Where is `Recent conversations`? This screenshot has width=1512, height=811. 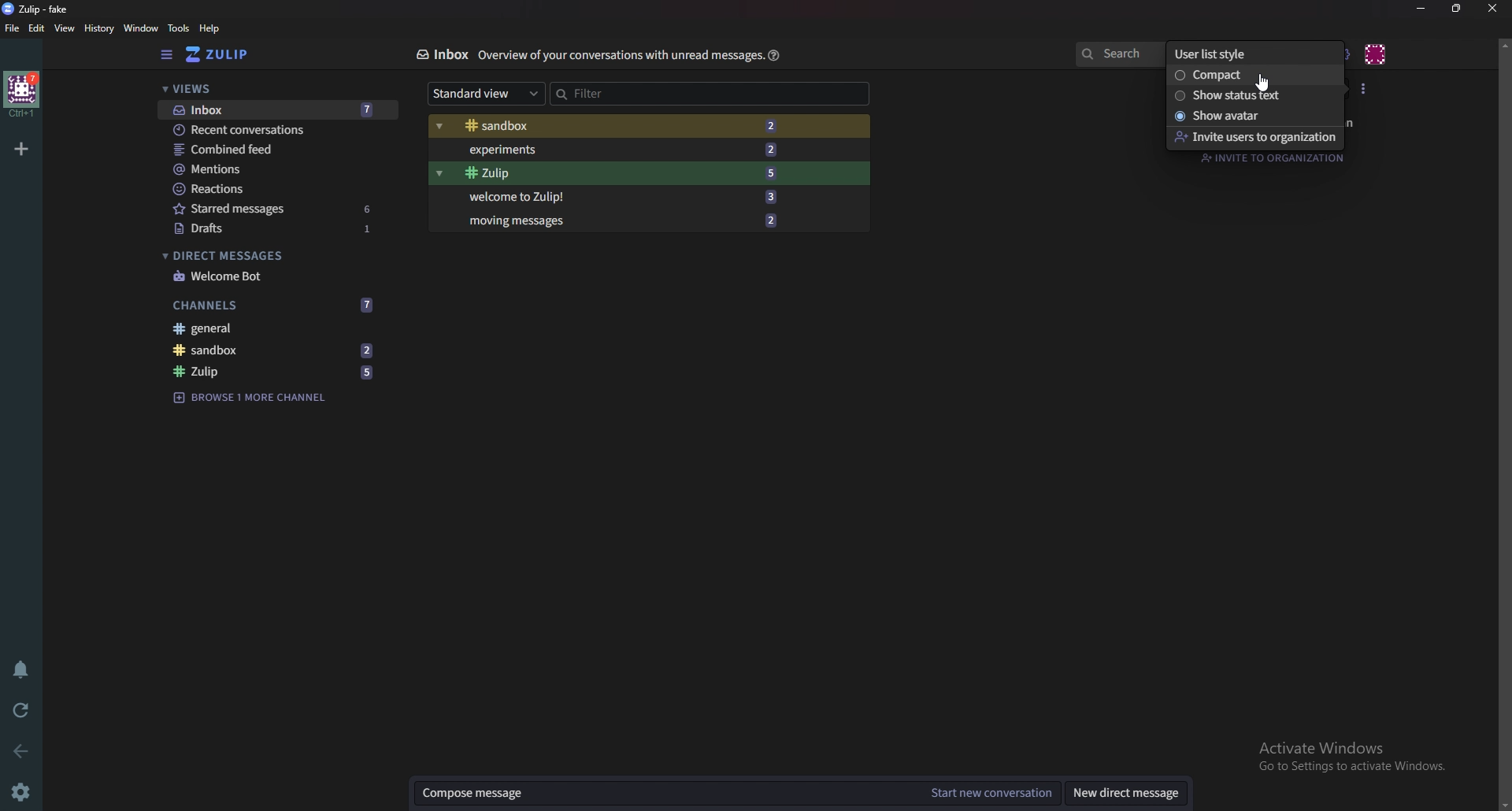 Recent conversations is located at coordinates (278, 130).